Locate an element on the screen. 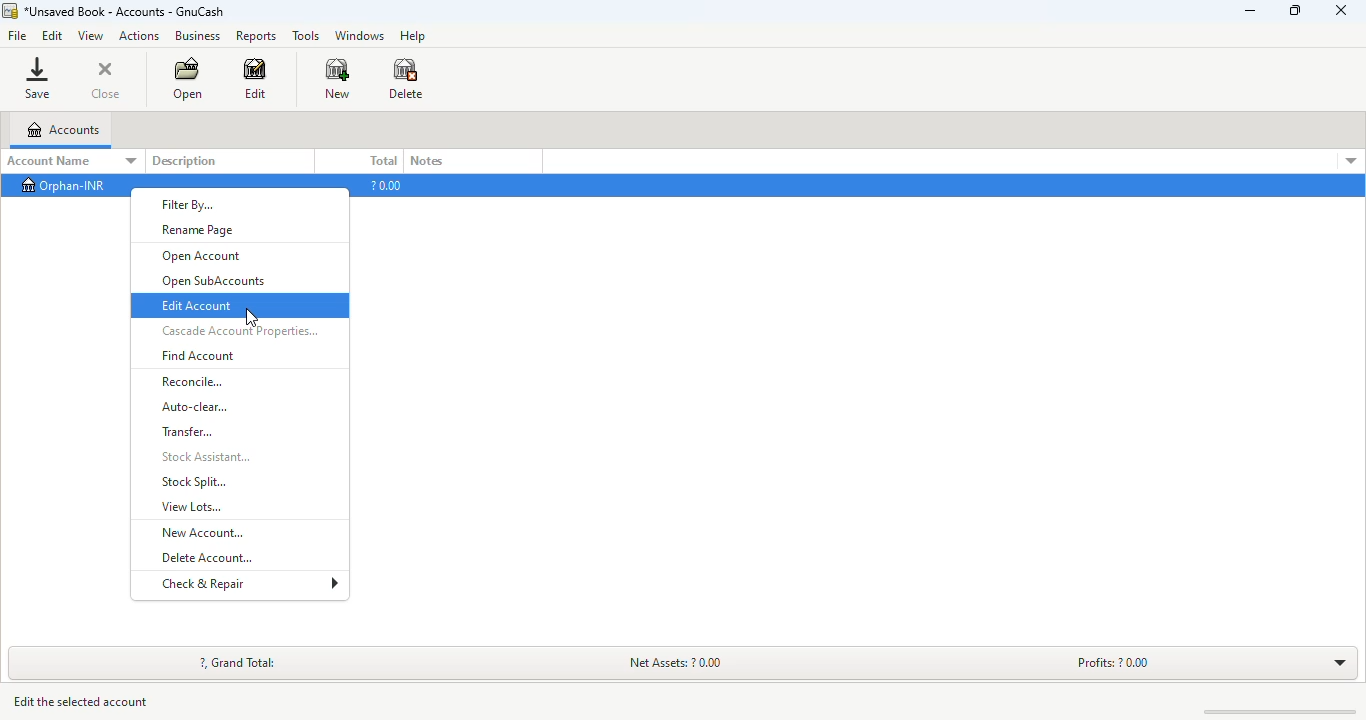 The height and width of the screenshot is (720, 1366). edit account is located at coordinates (196, 305).